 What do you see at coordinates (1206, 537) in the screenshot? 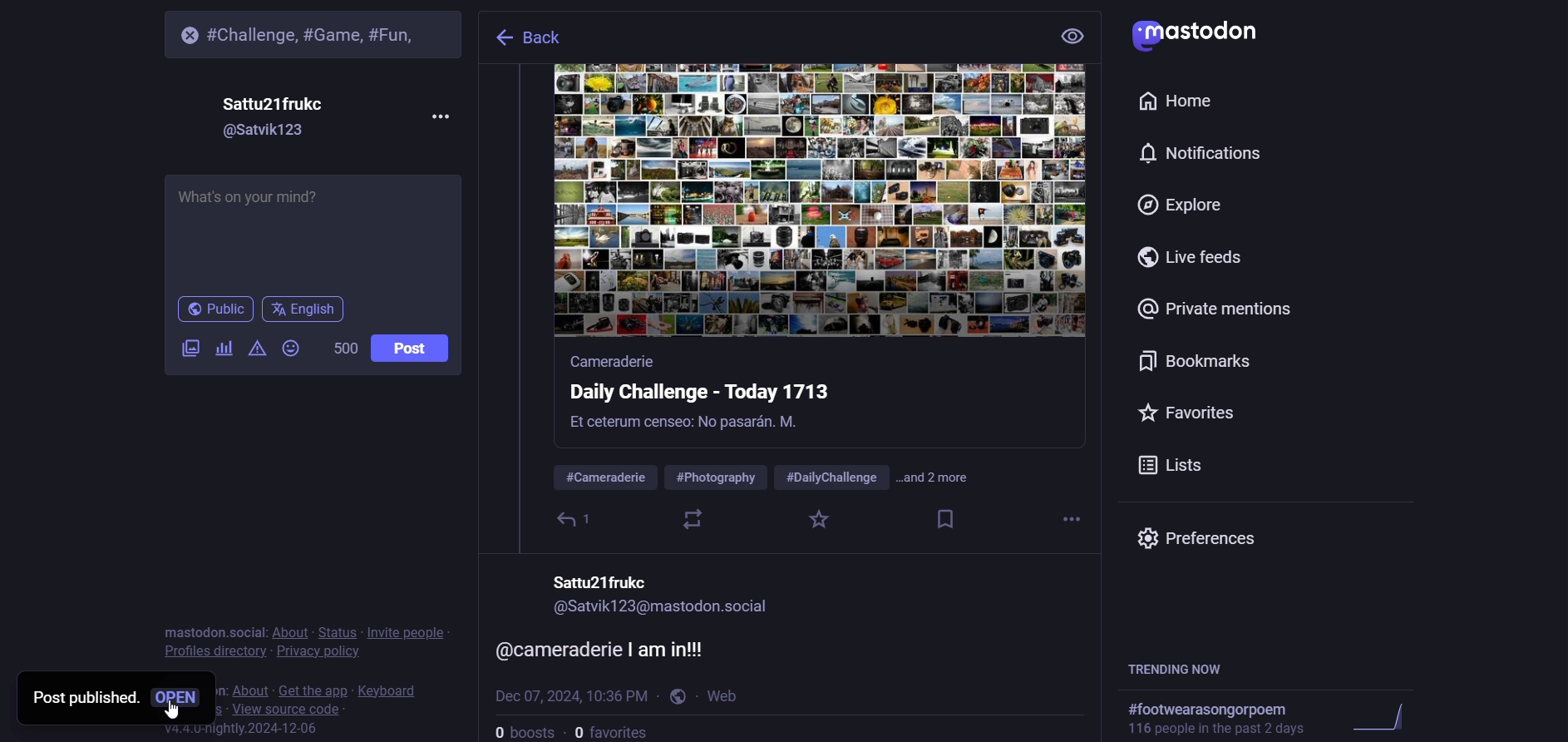
I see `preferences` at bounding box center [1206, 537].